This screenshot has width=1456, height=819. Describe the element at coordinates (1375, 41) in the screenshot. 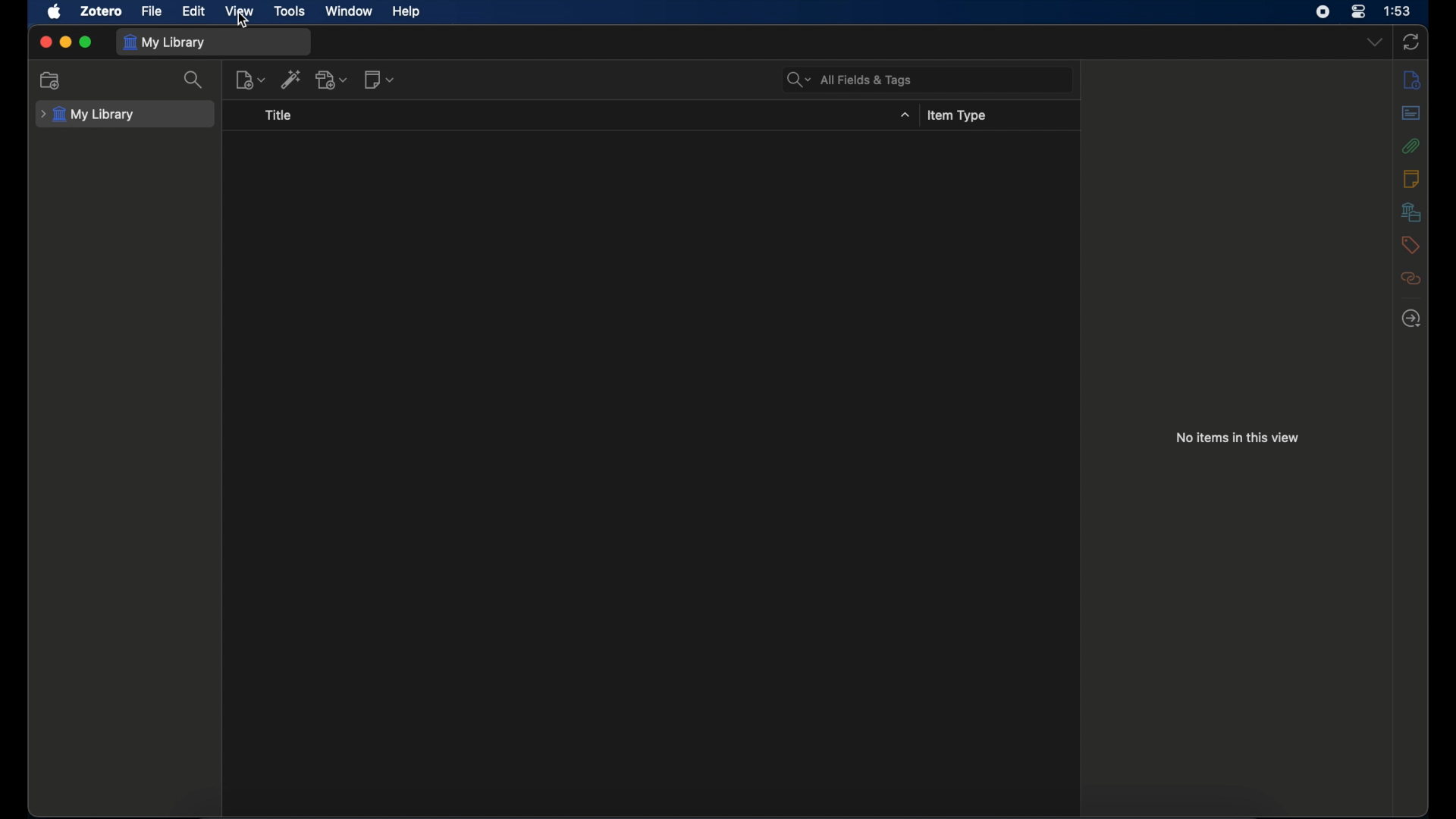

I see `dropdown` at that location.